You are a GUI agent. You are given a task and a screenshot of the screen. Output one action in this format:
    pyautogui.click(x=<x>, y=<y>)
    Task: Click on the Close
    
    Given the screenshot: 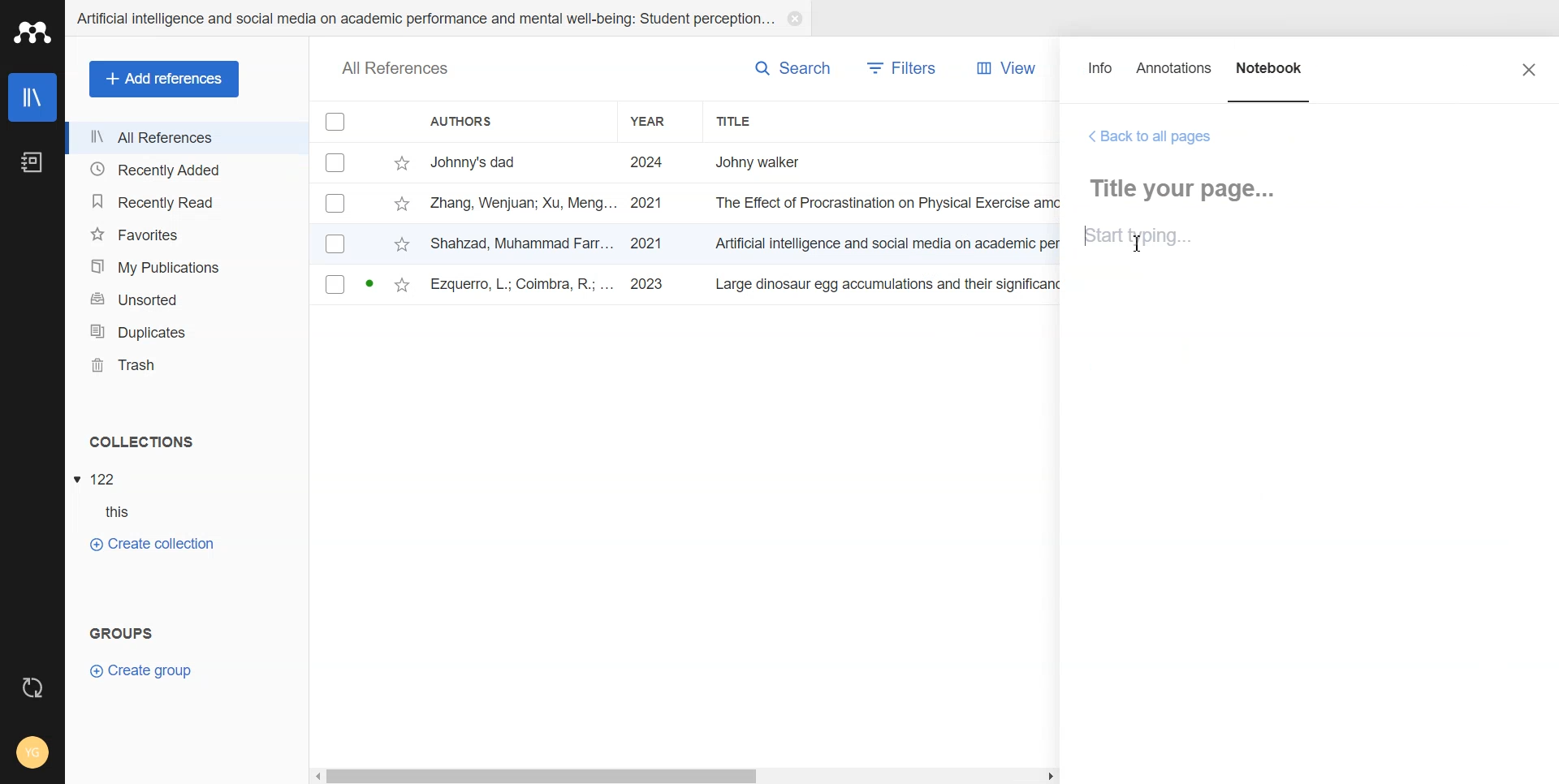 What is the action you would take?
    pyautogui.click(x=794, y=19)
    